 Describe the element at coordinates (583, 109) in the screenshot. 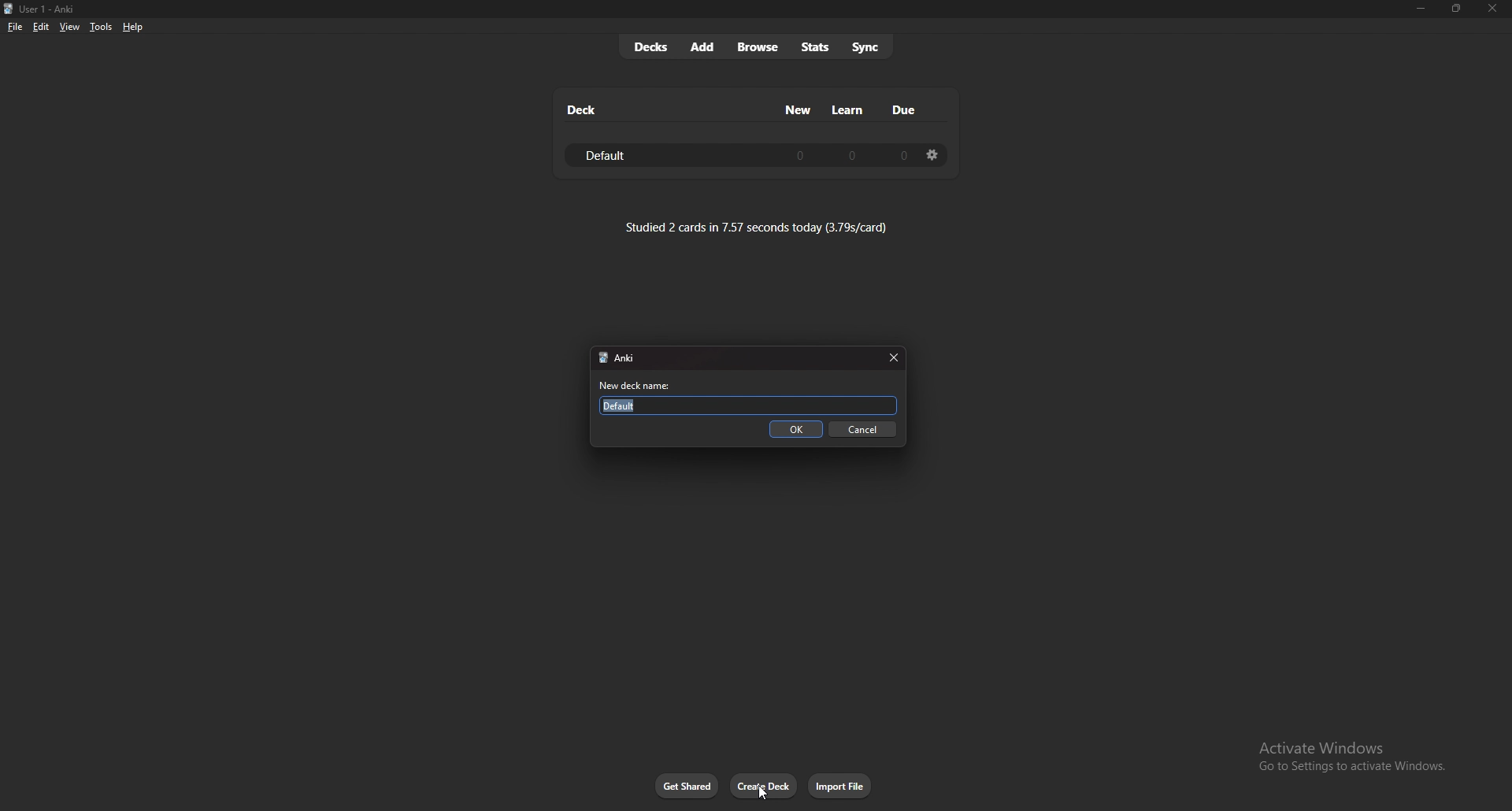

I see `deck` at that location.